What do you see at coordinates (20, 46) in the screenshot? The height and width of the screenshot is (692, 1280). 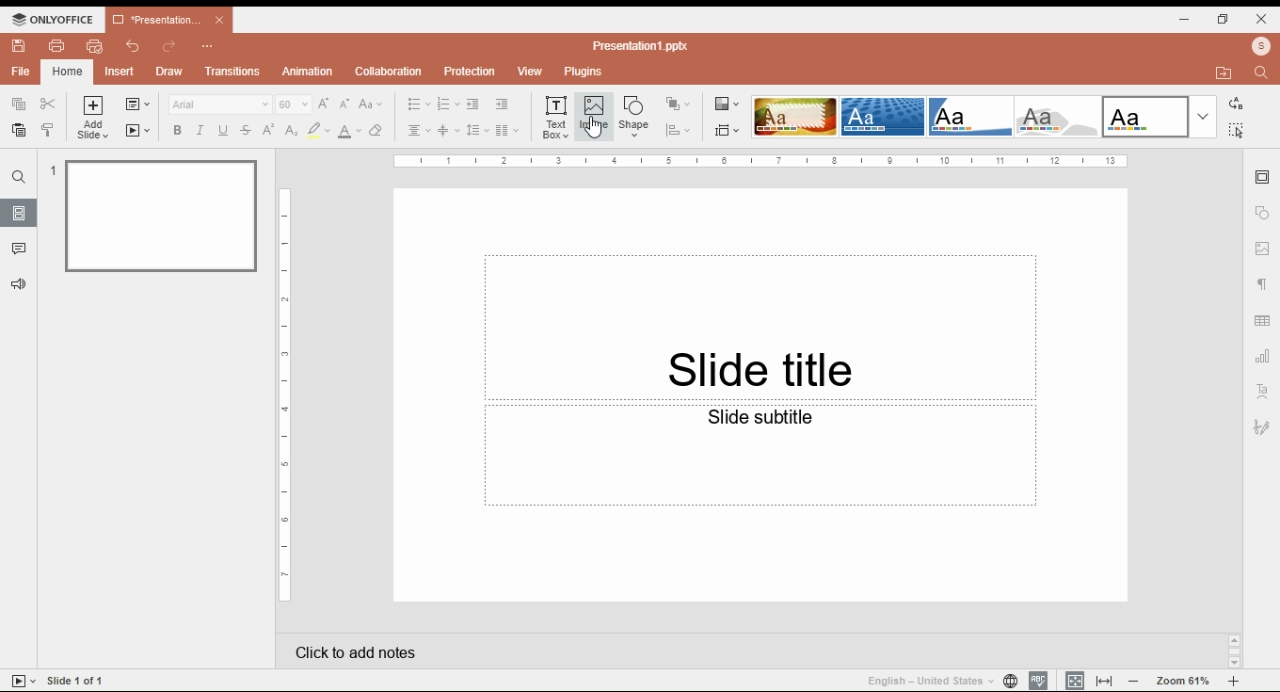 I see `save` at bounding box center [20, 46].